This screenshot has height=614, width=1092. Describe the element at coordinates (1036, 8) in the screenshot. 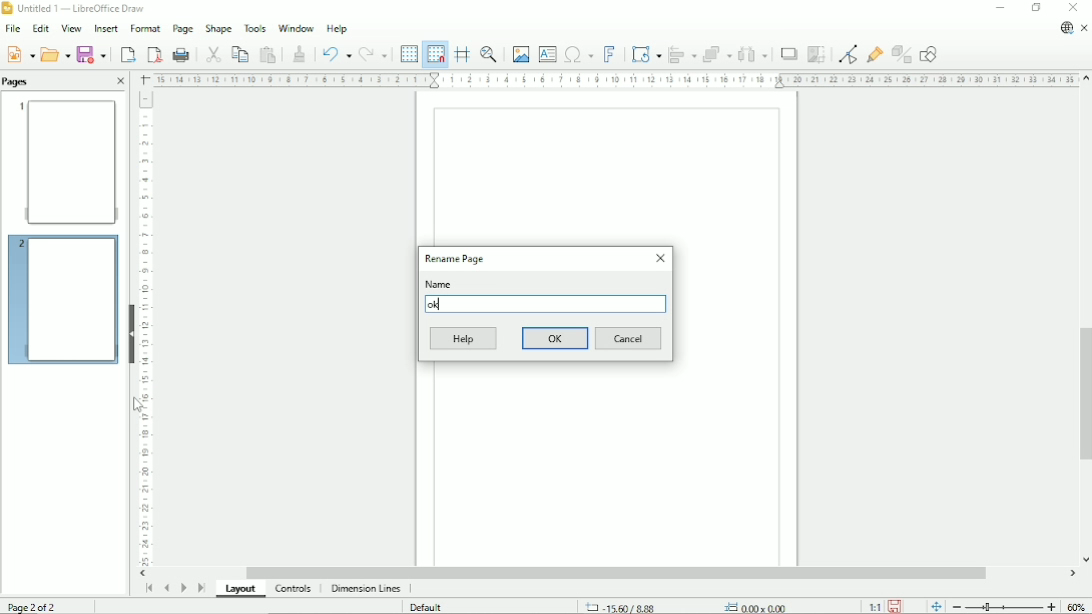

I see `Restore down` at that location.